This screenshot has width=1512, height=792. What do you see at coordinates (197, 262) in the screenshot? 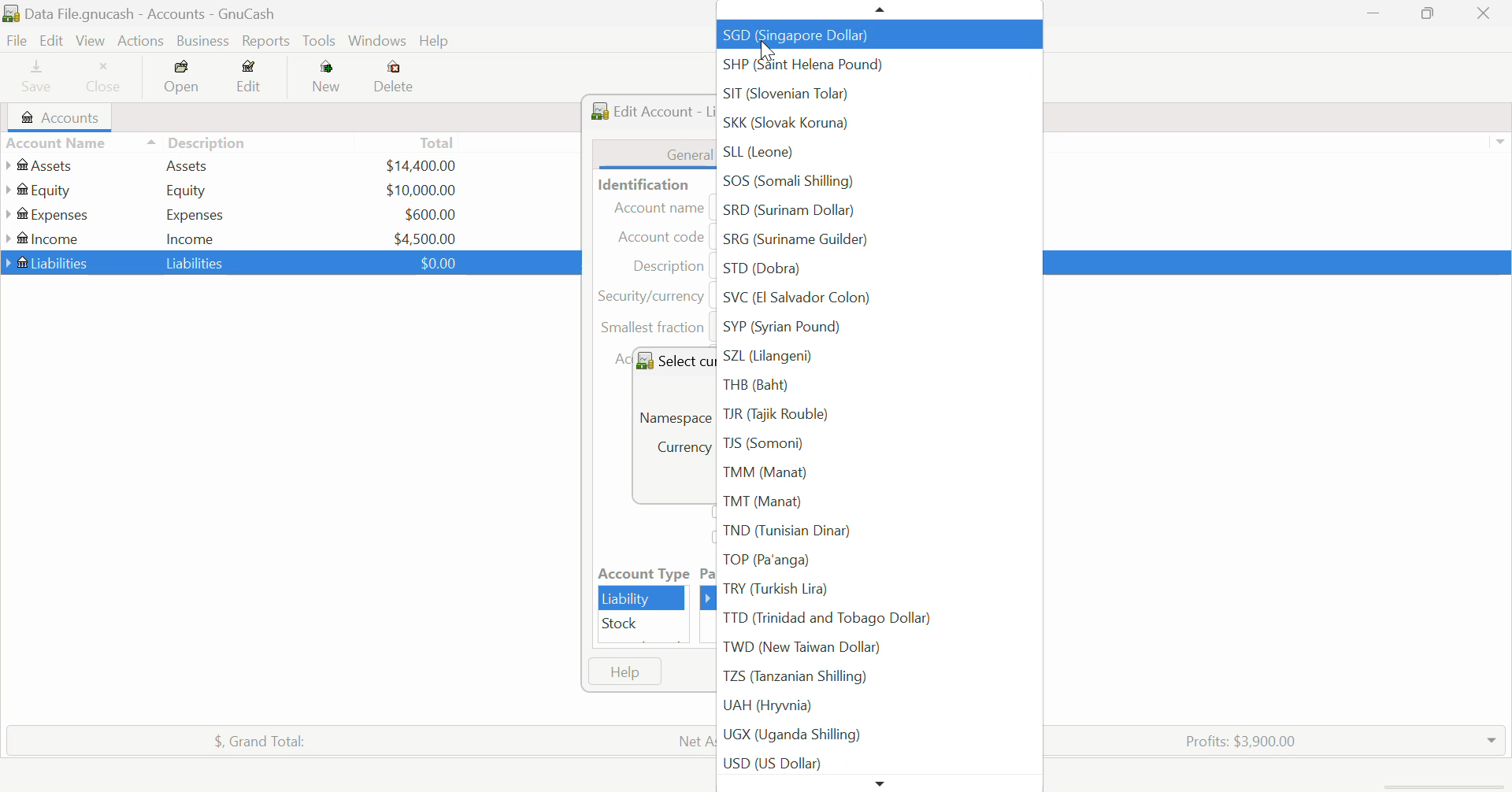
I see `Liabilities` at bounding box center [197, 262].